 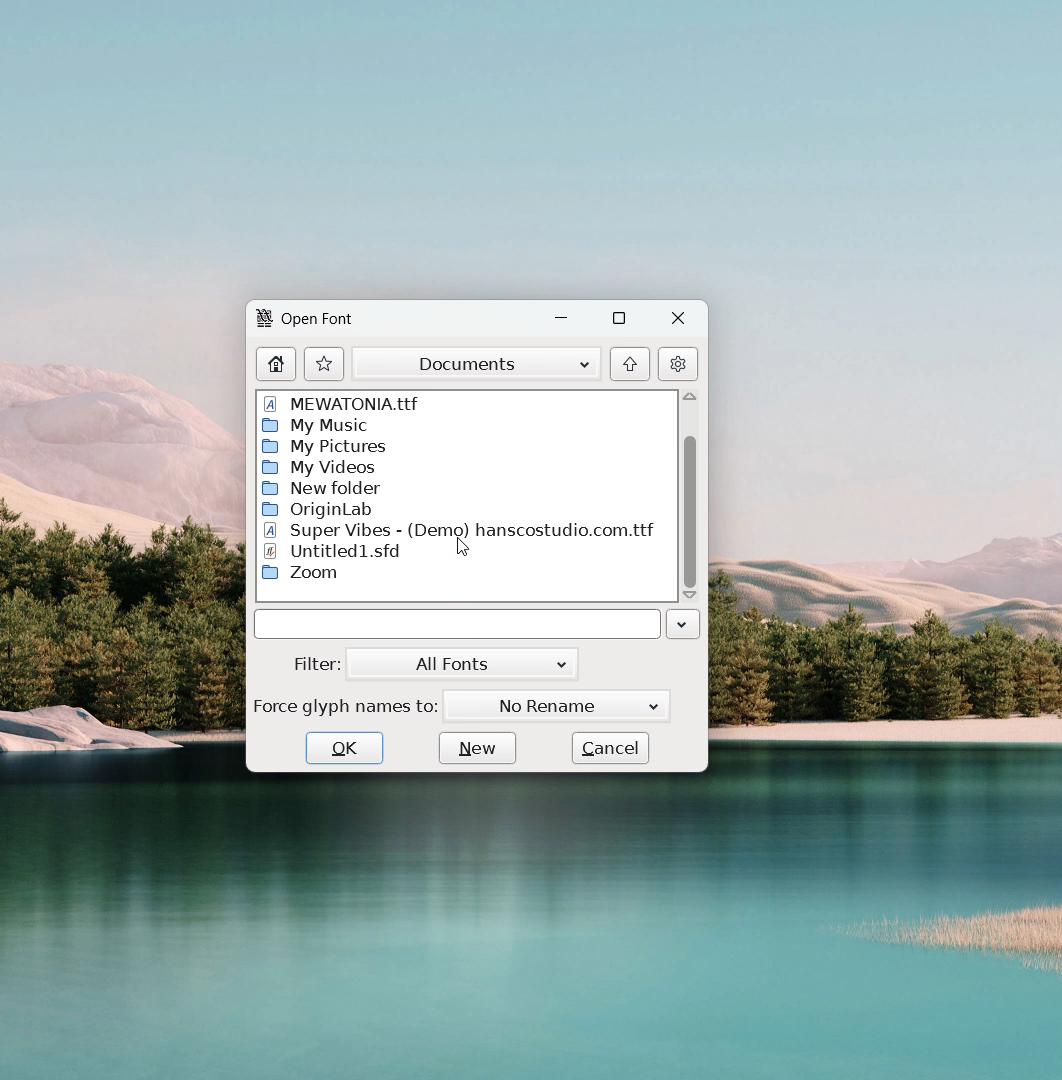 What do you see at coordinates (691, 510) in the screenshot?
I see `scrollbar` at bounding box center [691, 510].